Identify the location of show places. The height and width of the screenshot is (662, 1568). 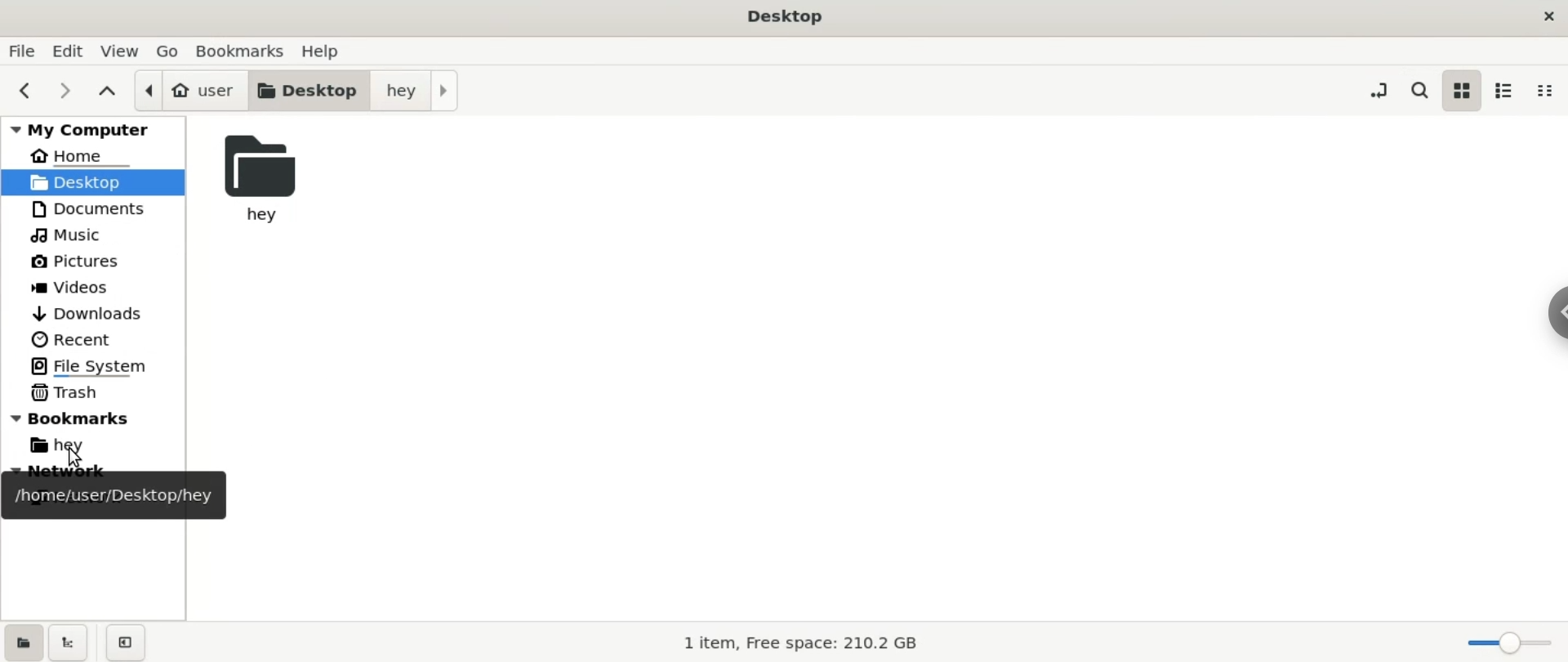
(21, 641).